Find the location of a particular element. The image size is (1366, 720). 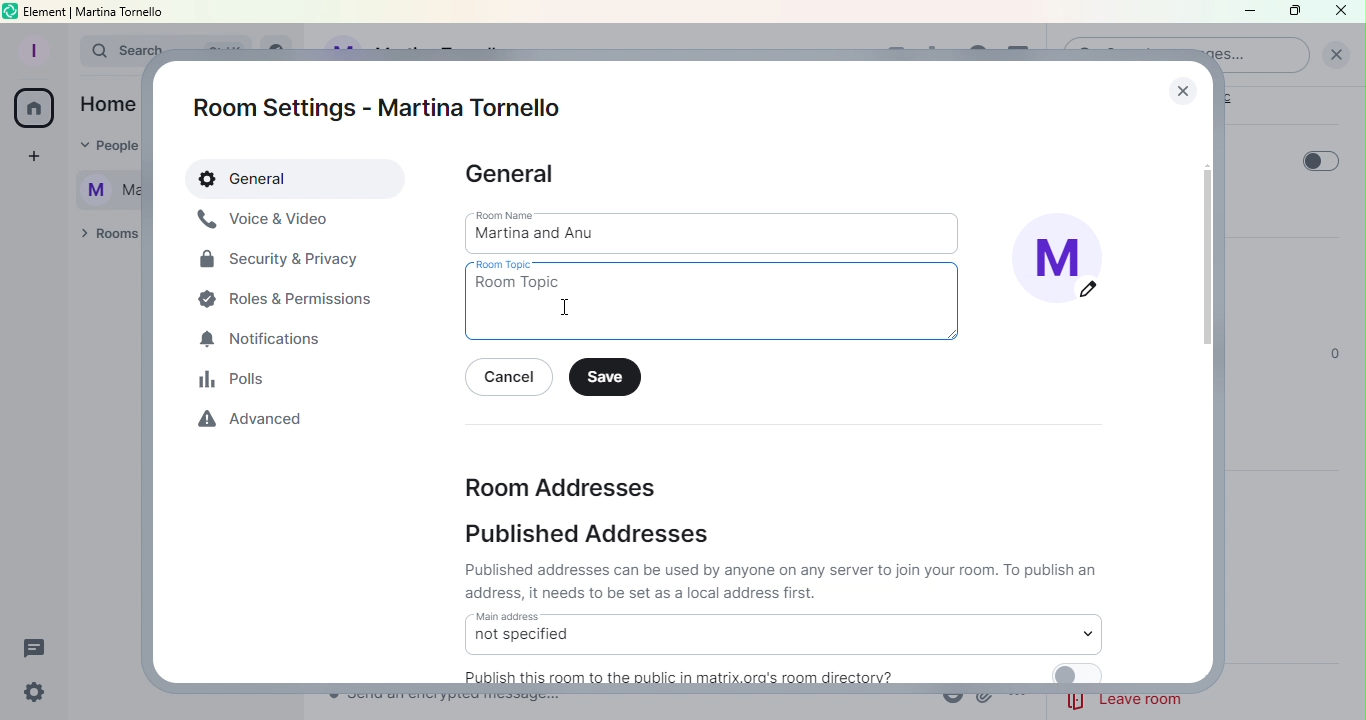

Room topic is located at coordinates (719, 302).